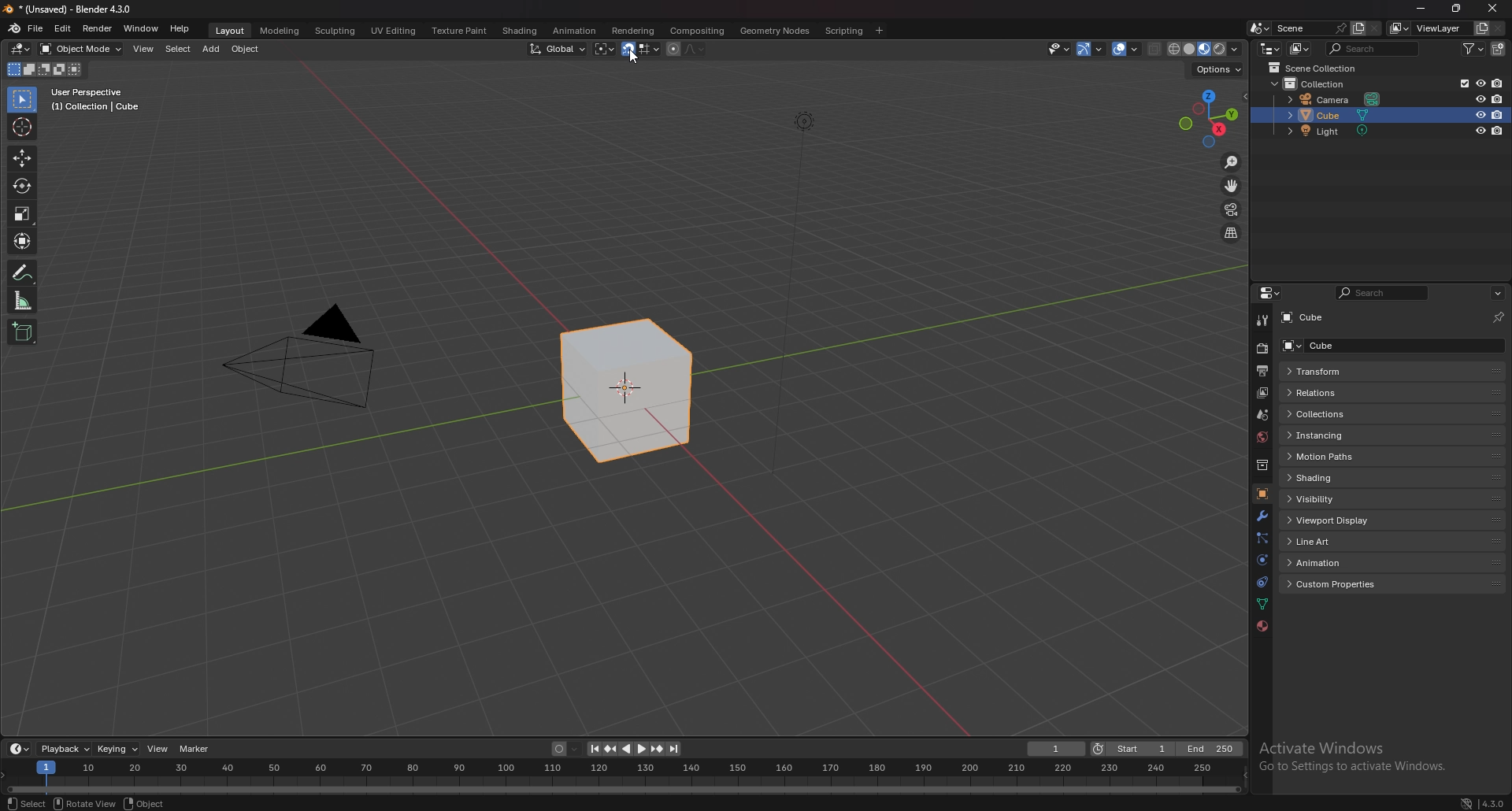 The height and width of the screenshot is (811, 1512). Describe the element at coordinates (1262, 627) in the screenshot. I see `material` at that location.